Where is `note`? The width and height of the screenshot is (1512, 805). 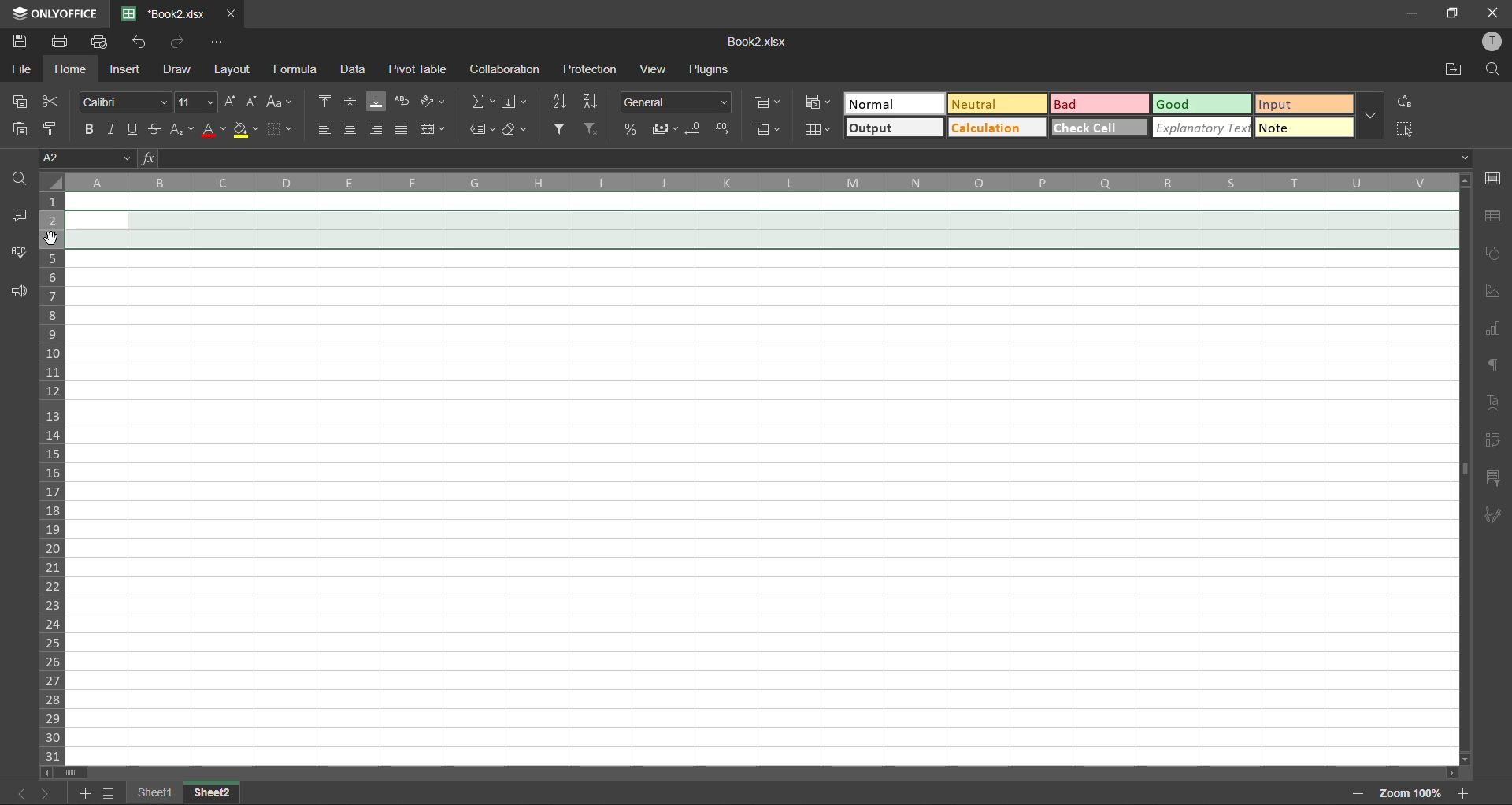 note is located at coordinates (1303, 126).